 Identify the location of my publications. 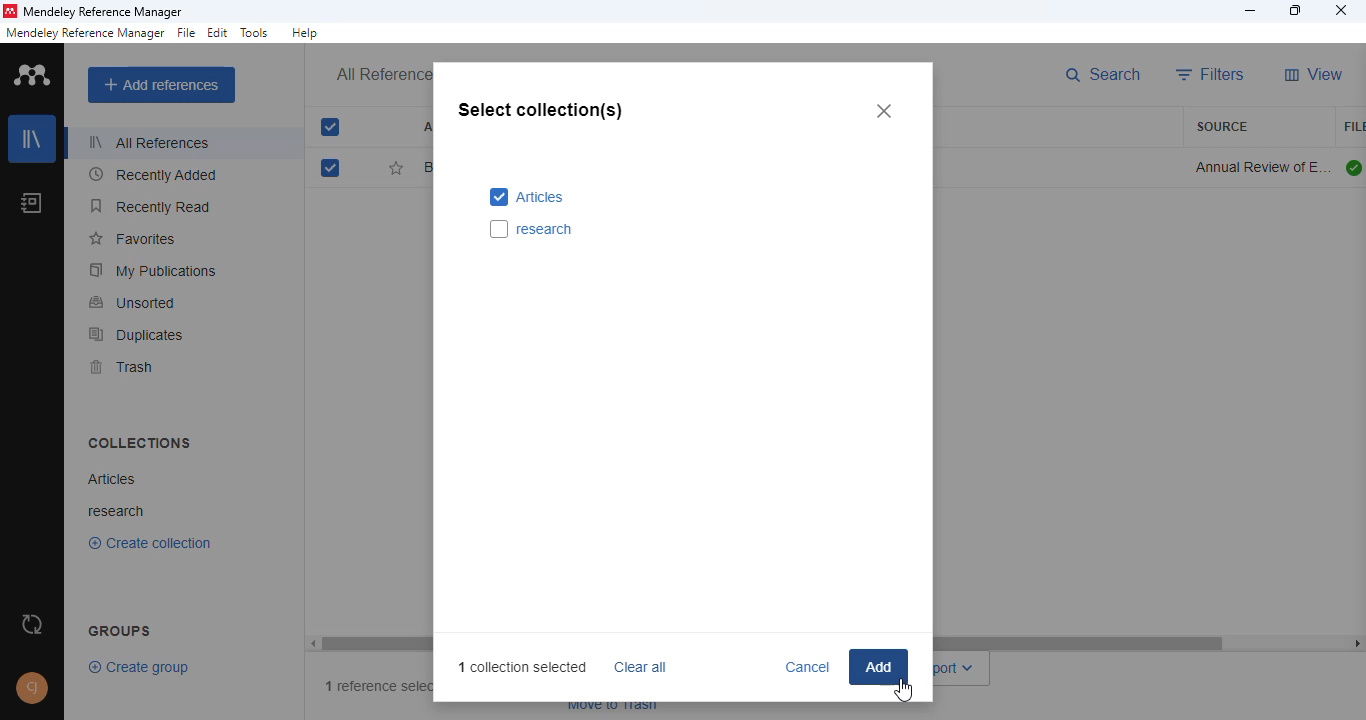
(153, 271).